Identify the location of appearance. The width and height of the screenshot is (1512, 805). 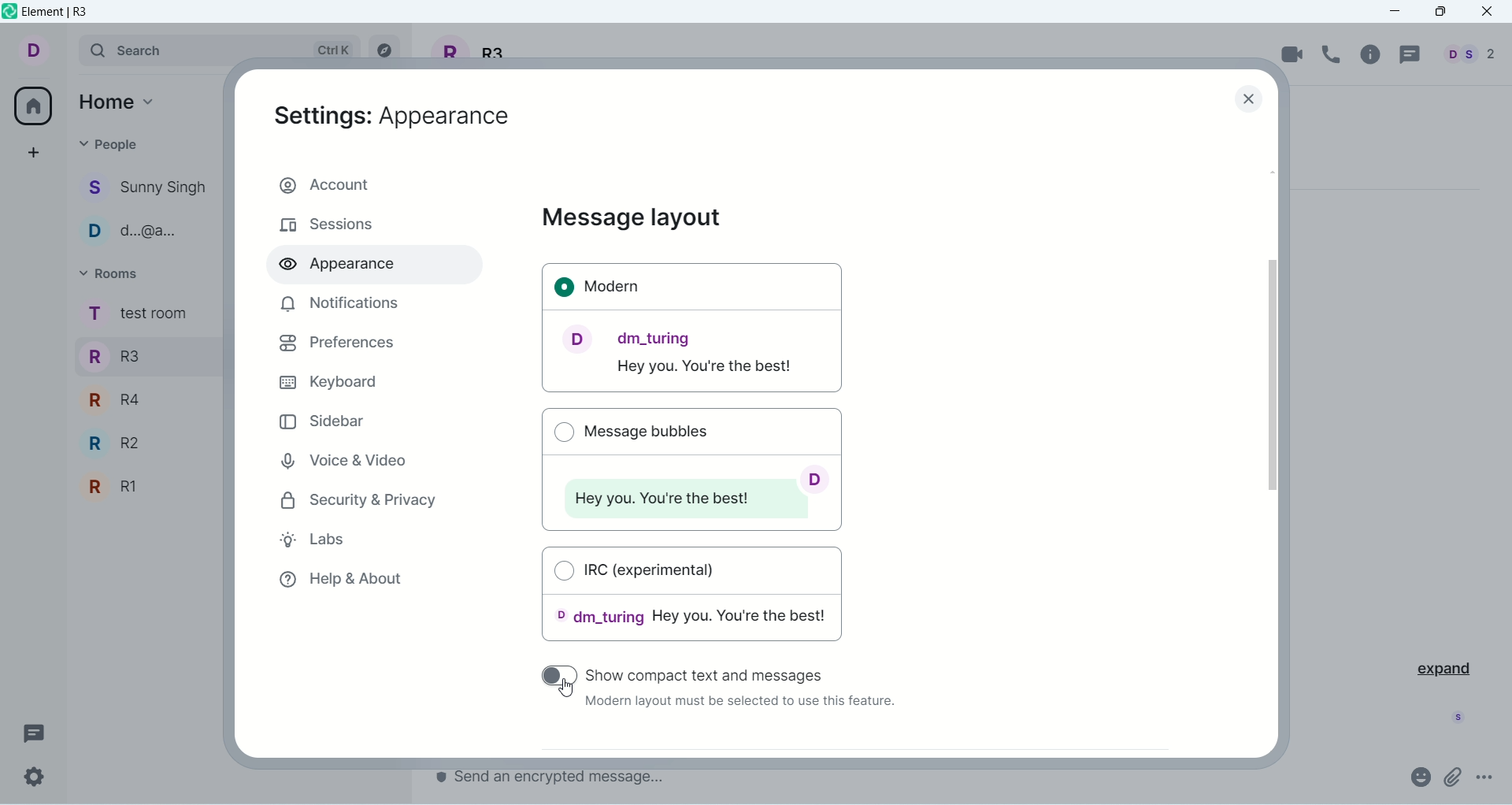
(344, 267).